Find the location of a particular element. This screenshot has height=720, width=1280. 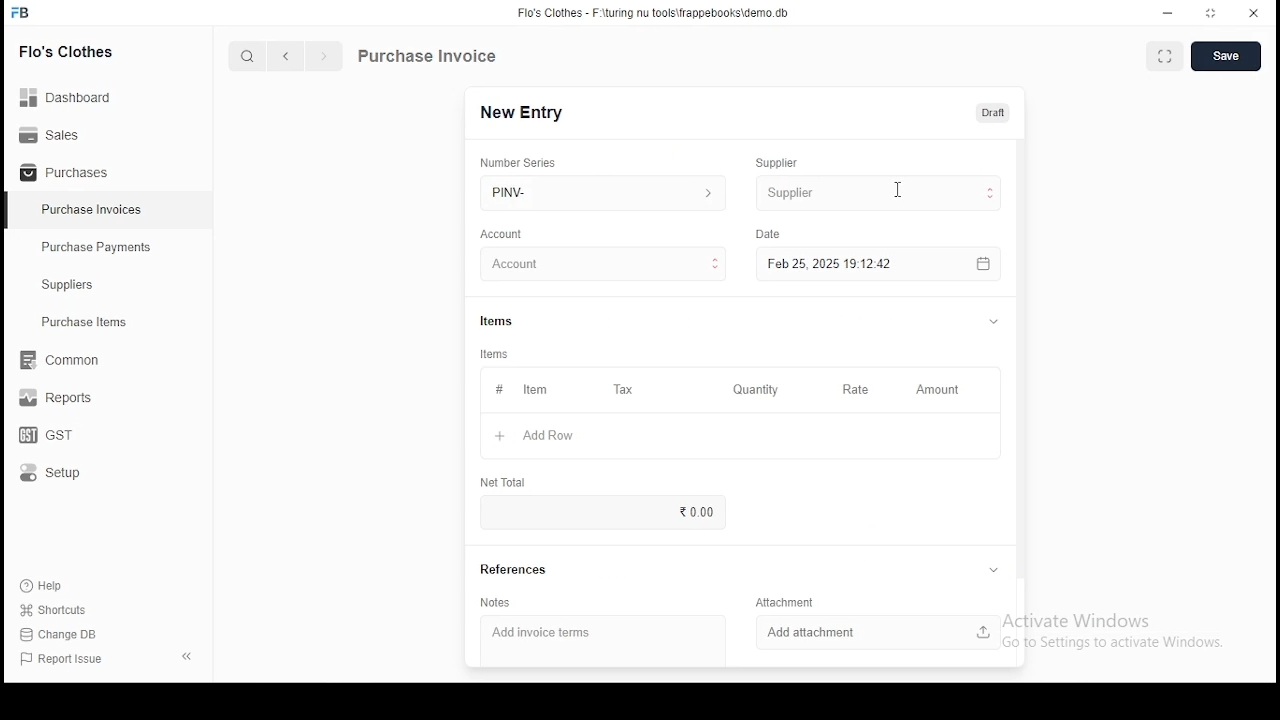

next is located at coordinates (324, 58).